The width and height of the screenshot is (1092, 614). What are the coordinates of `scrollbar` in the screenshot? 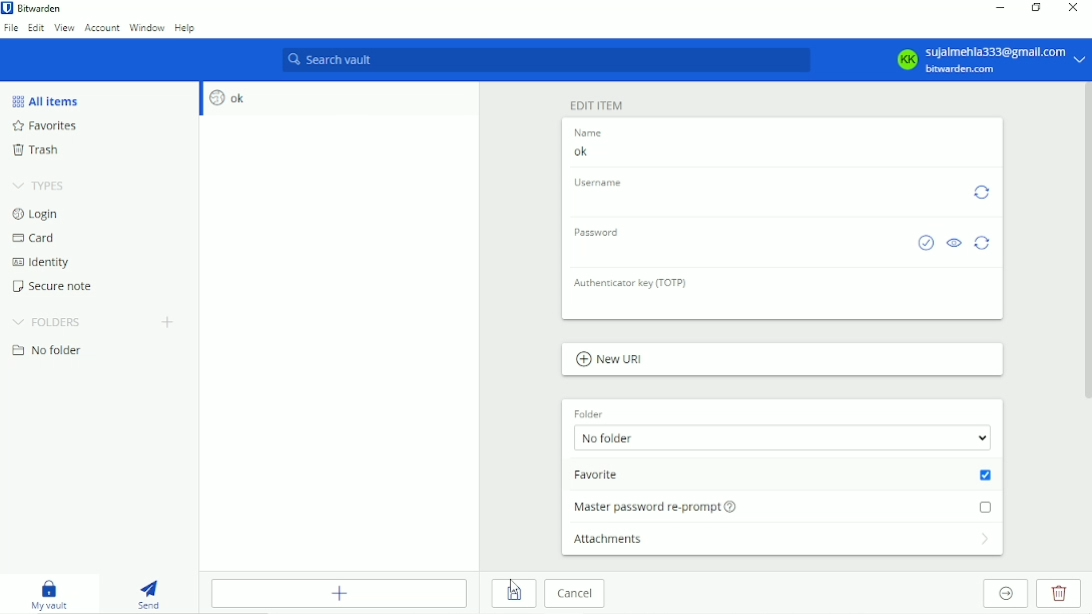 It's located at (1088, 240).